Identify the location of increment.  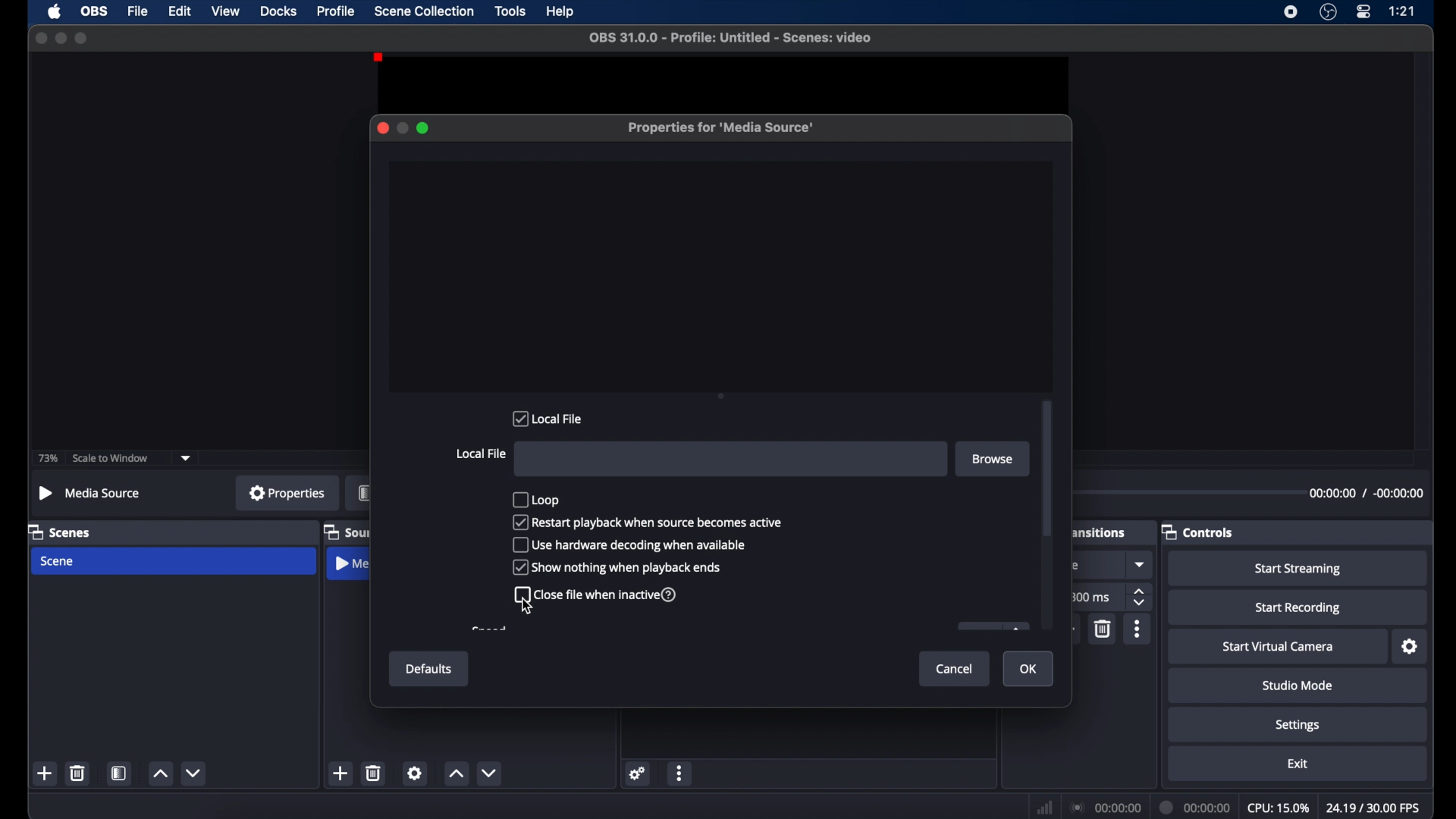
(455, 773).